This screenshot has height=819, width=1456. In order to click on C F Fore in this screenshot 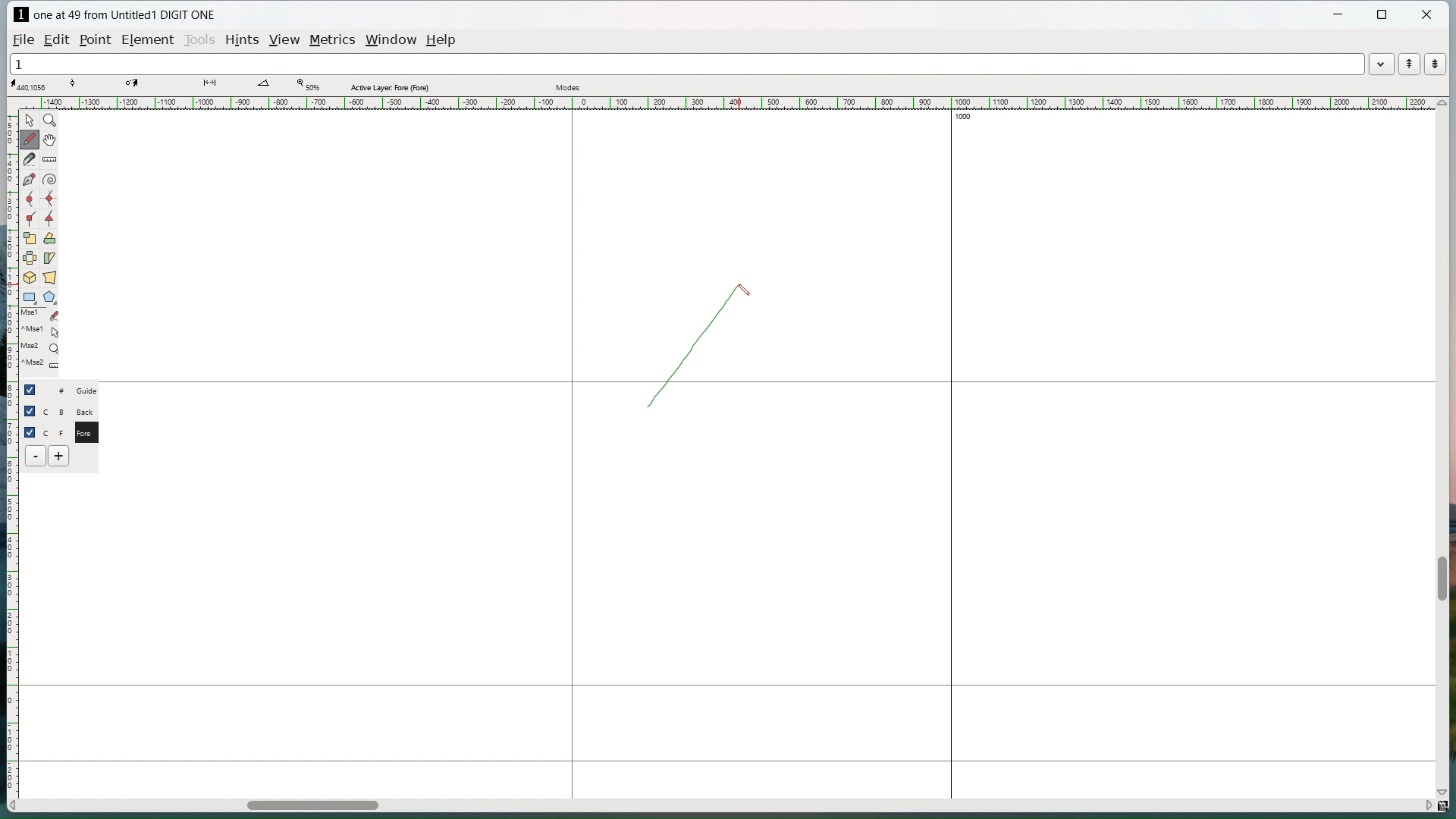, I will do `click(72, 431)`.